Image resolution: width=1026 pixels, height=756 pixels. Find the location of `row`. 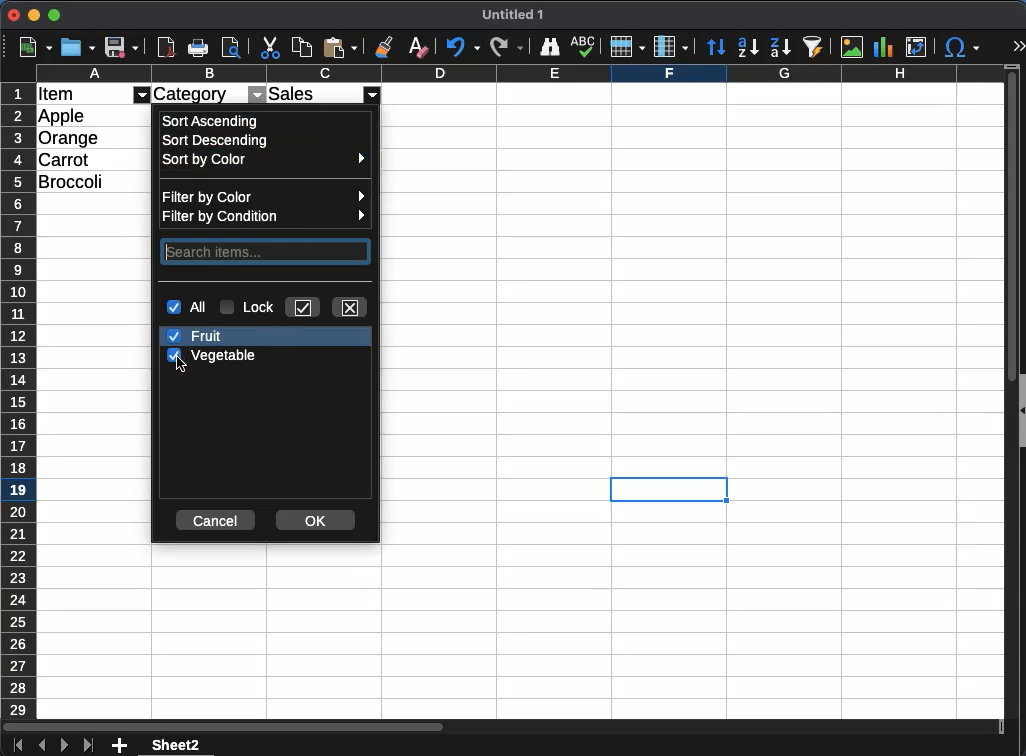

row is located at coordinates (625, 49).